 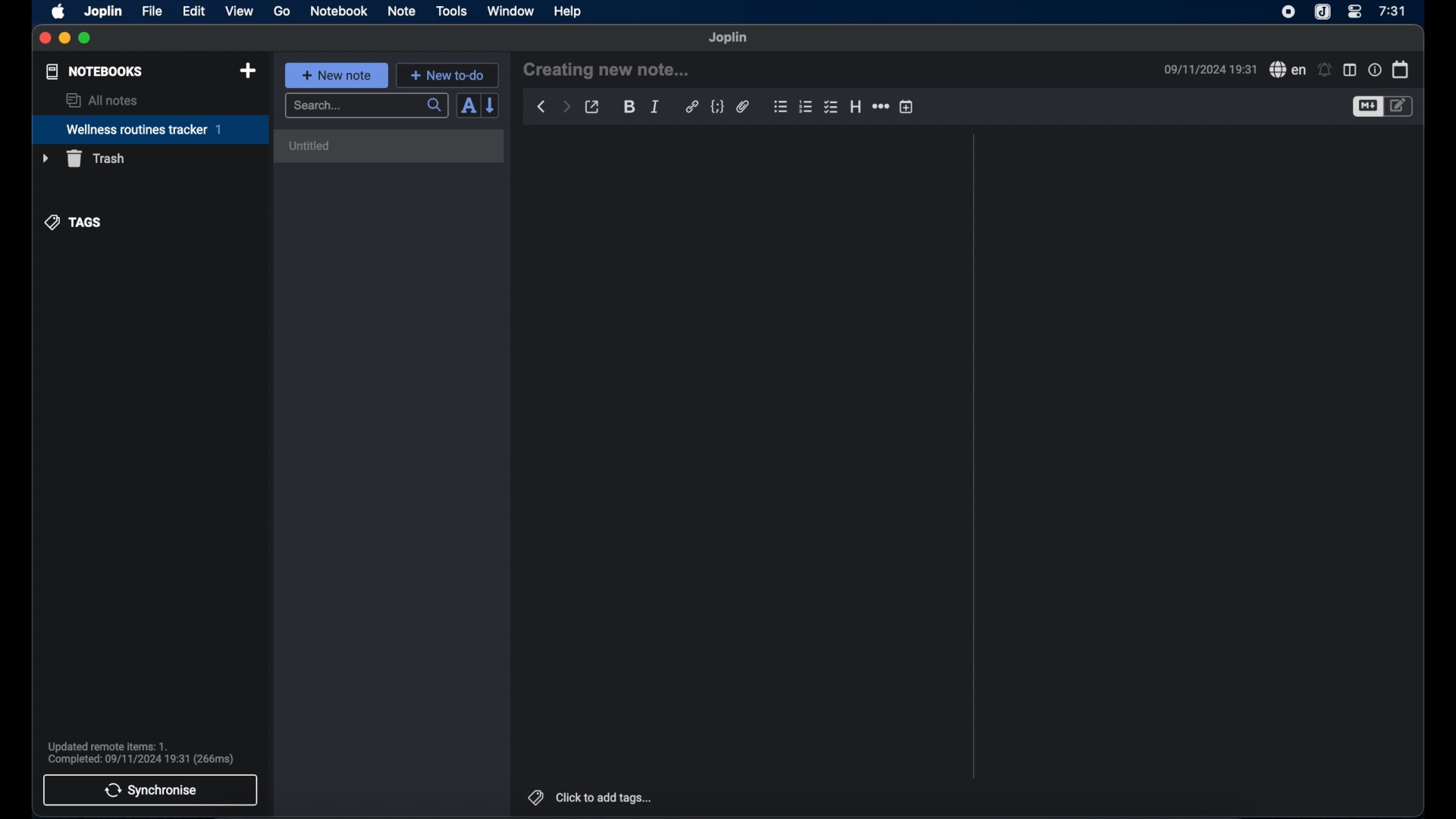 I want to click on + new to-do, so click(x=447, y=74).